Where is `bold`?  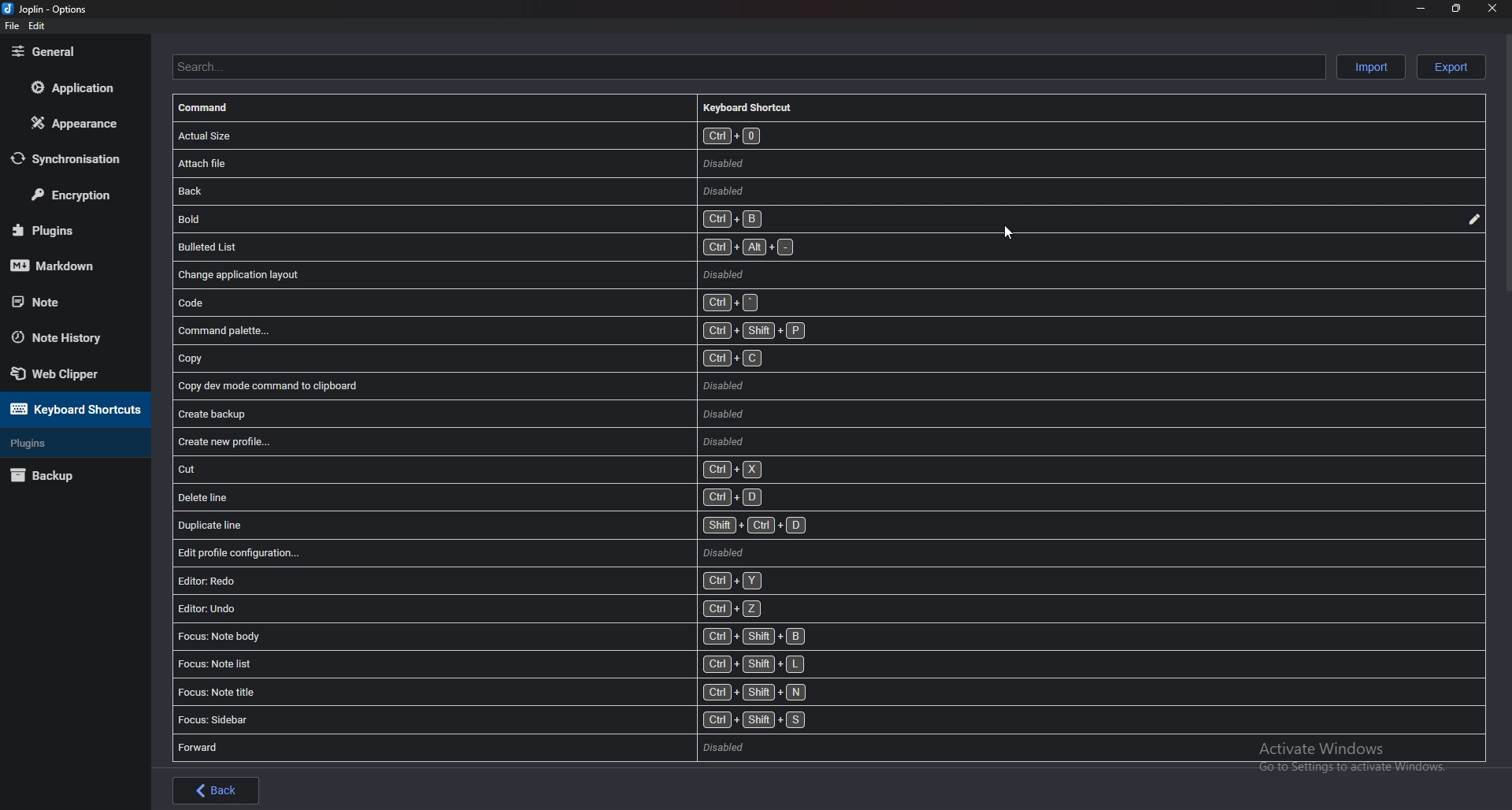
bold is located at coordinates (478, 219).